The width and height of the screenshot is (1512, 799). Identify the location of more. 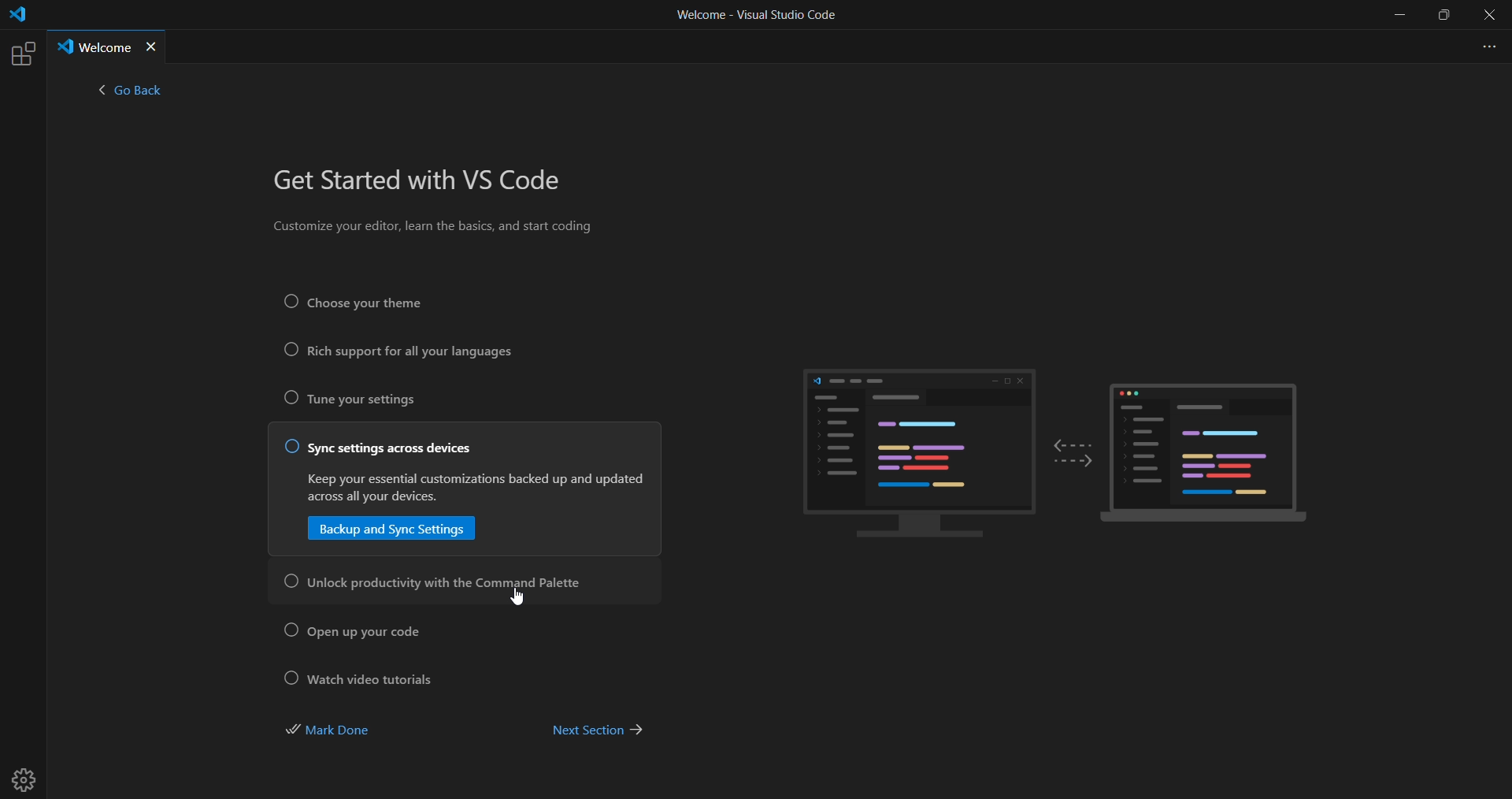
(1485, 45).